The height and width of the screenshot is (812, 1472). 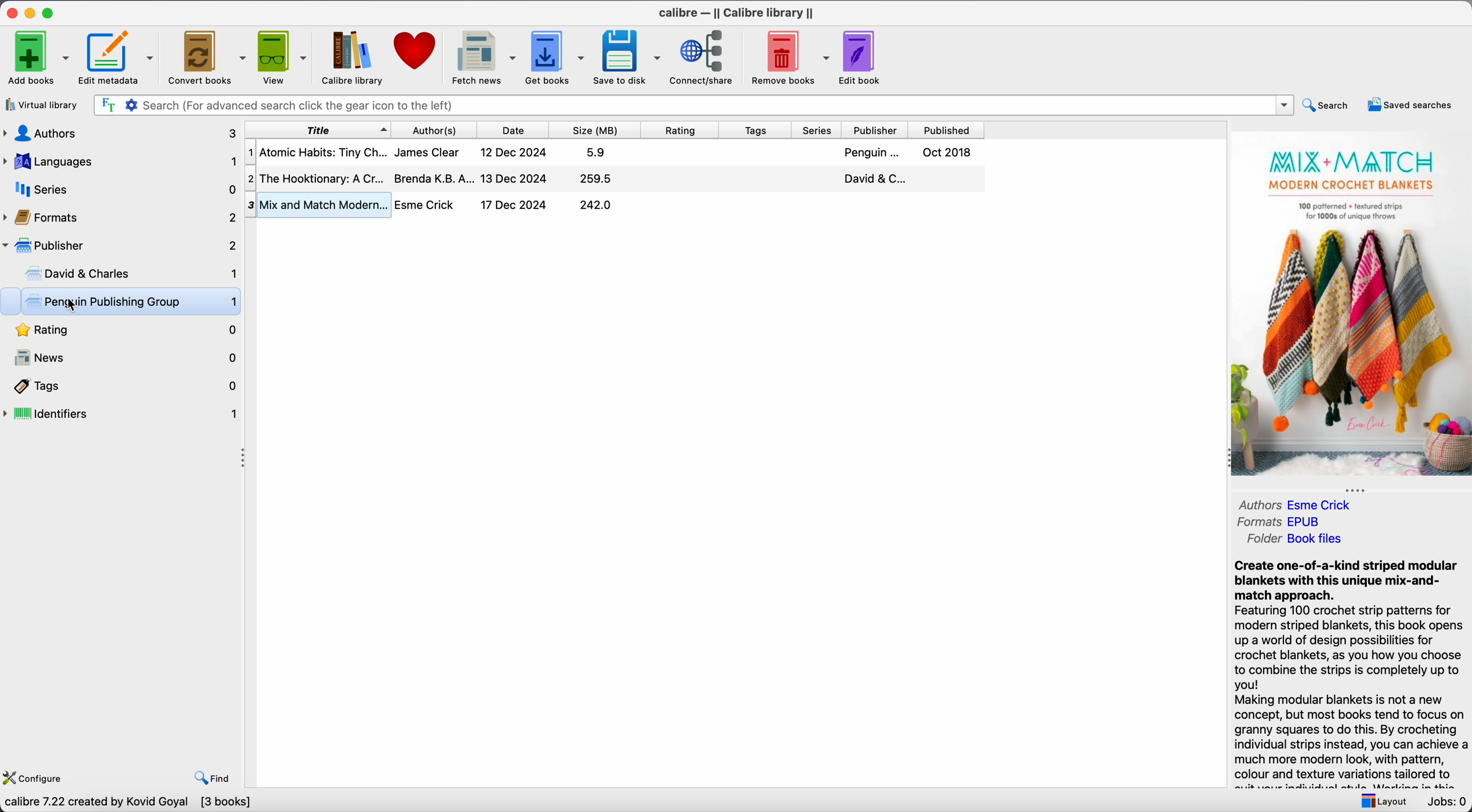 What do you see at coordinates (438, 205) in the screenshot?
I see `Mix and Match Modern...` at bounding box center [438, 205].